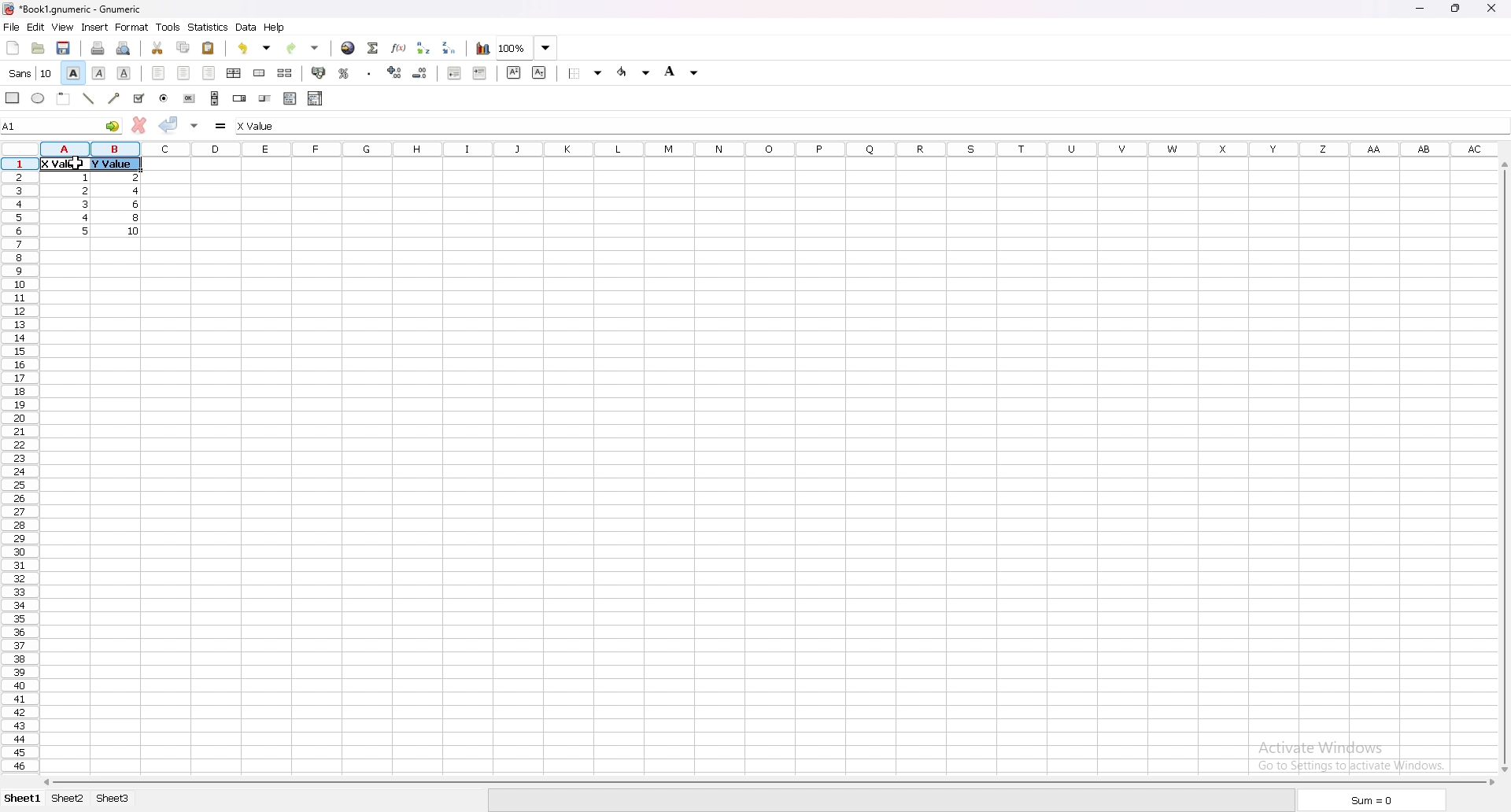  Describe the element at coordinates (209, 73) in the screenshot. I see `right align` at that location.